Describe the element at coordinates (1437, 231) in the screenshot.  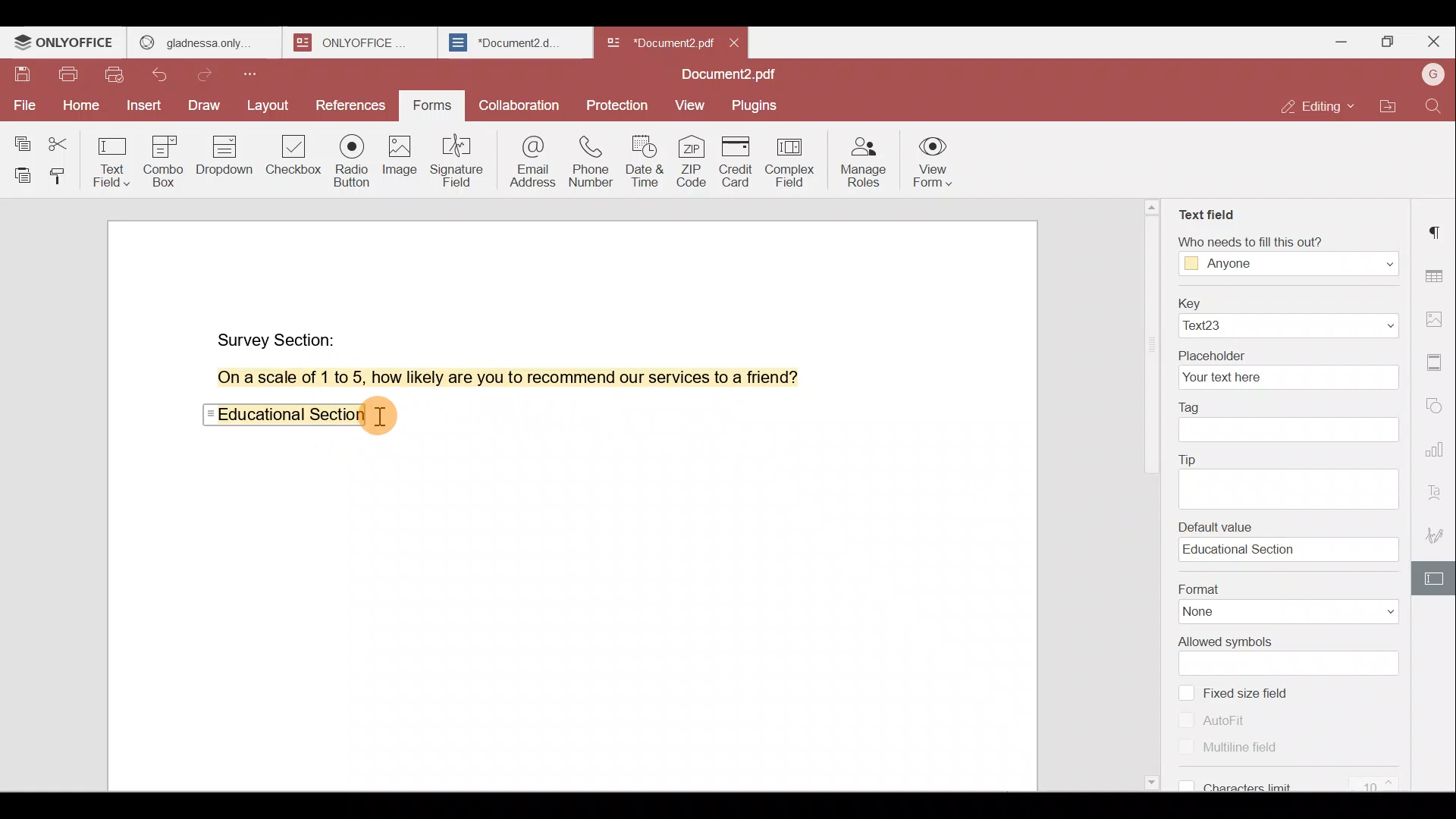
I see `Paragraph settings` at that location.